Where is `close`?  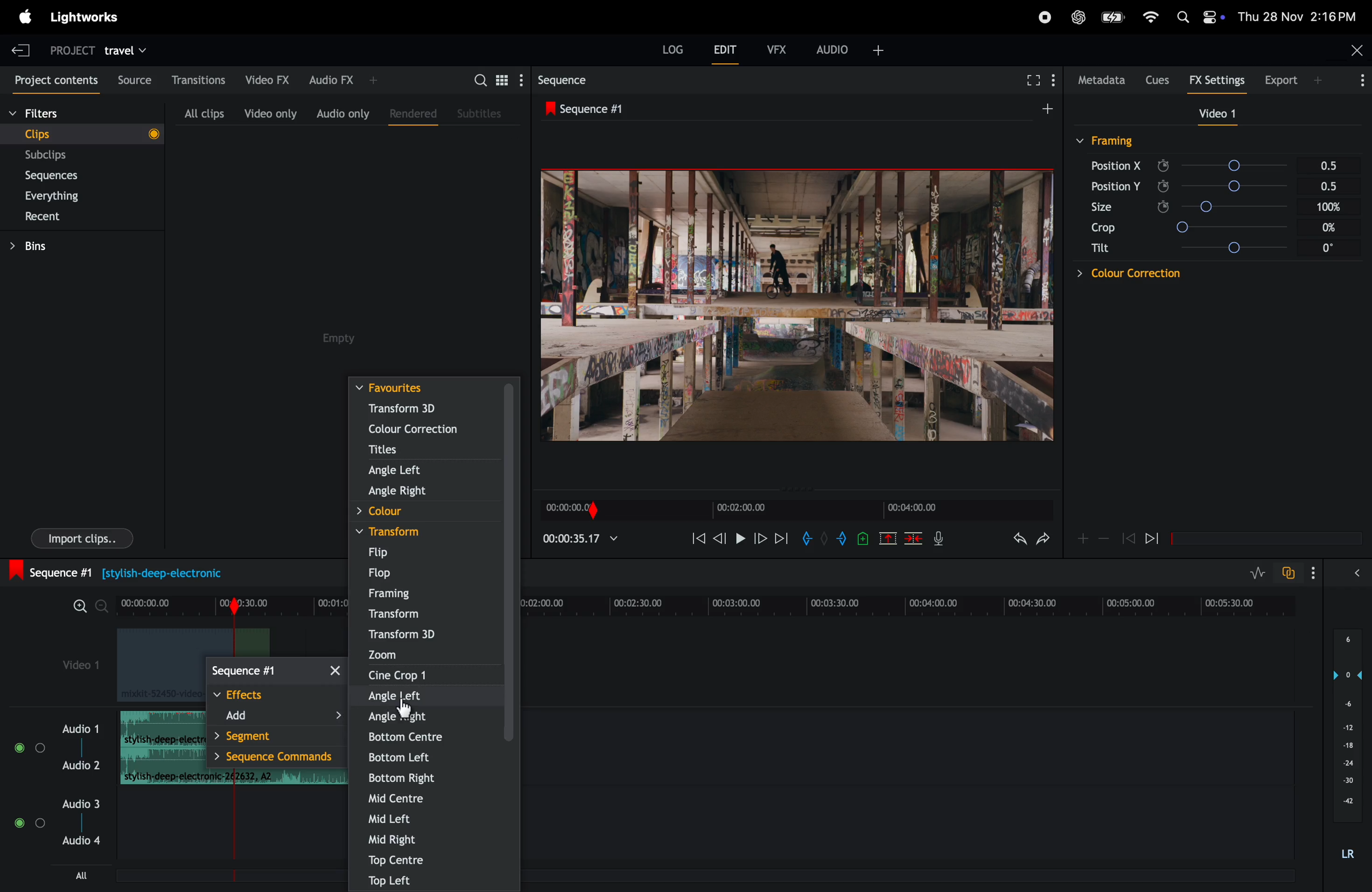 close is located at coordinates (1354, 52).